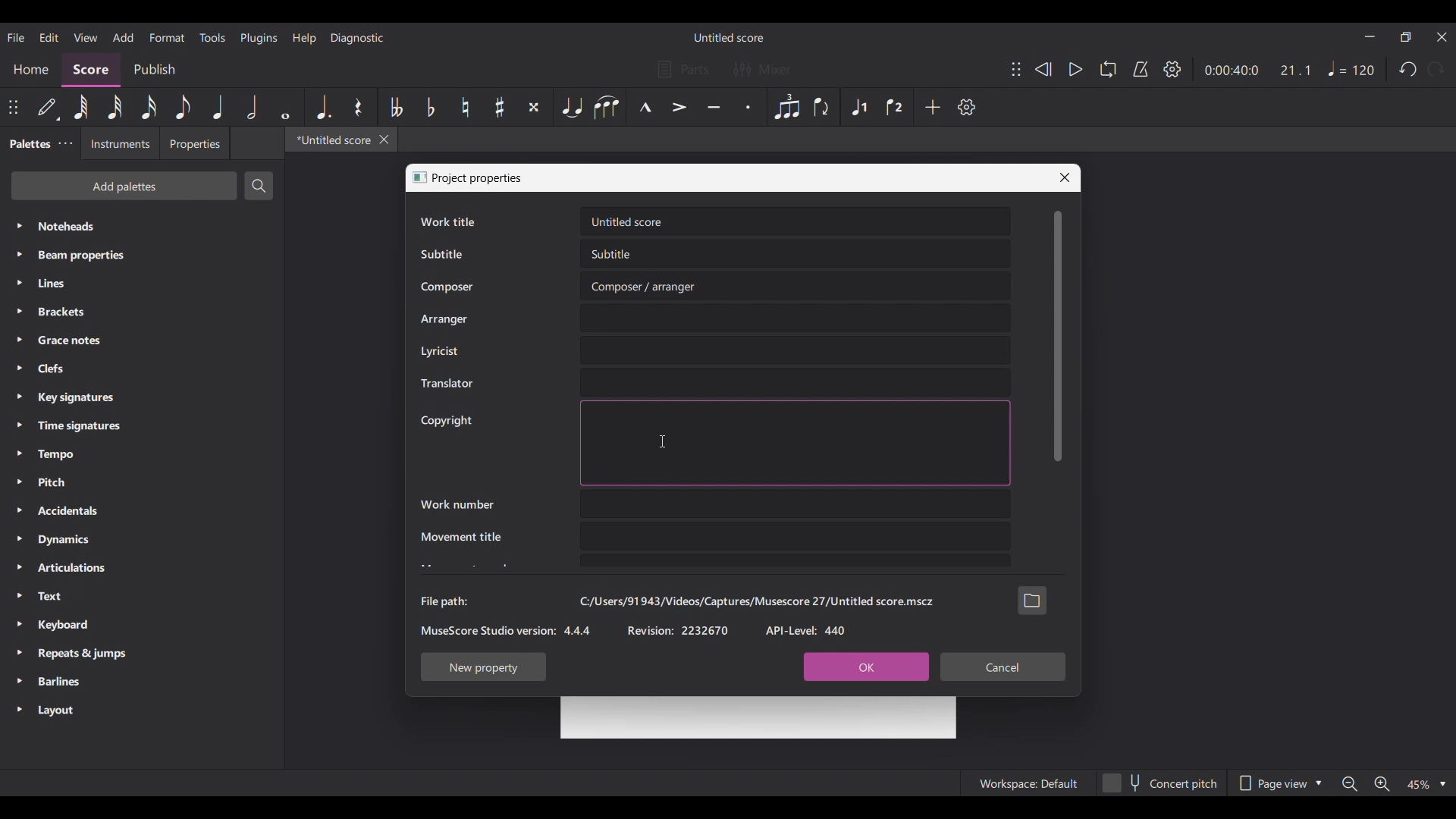 The height and width of the screenshot is (819, 1456). What do you see at coordinates (124, 37) in the screenshot?
I see `Add menu` at bounding box center [124, 37].